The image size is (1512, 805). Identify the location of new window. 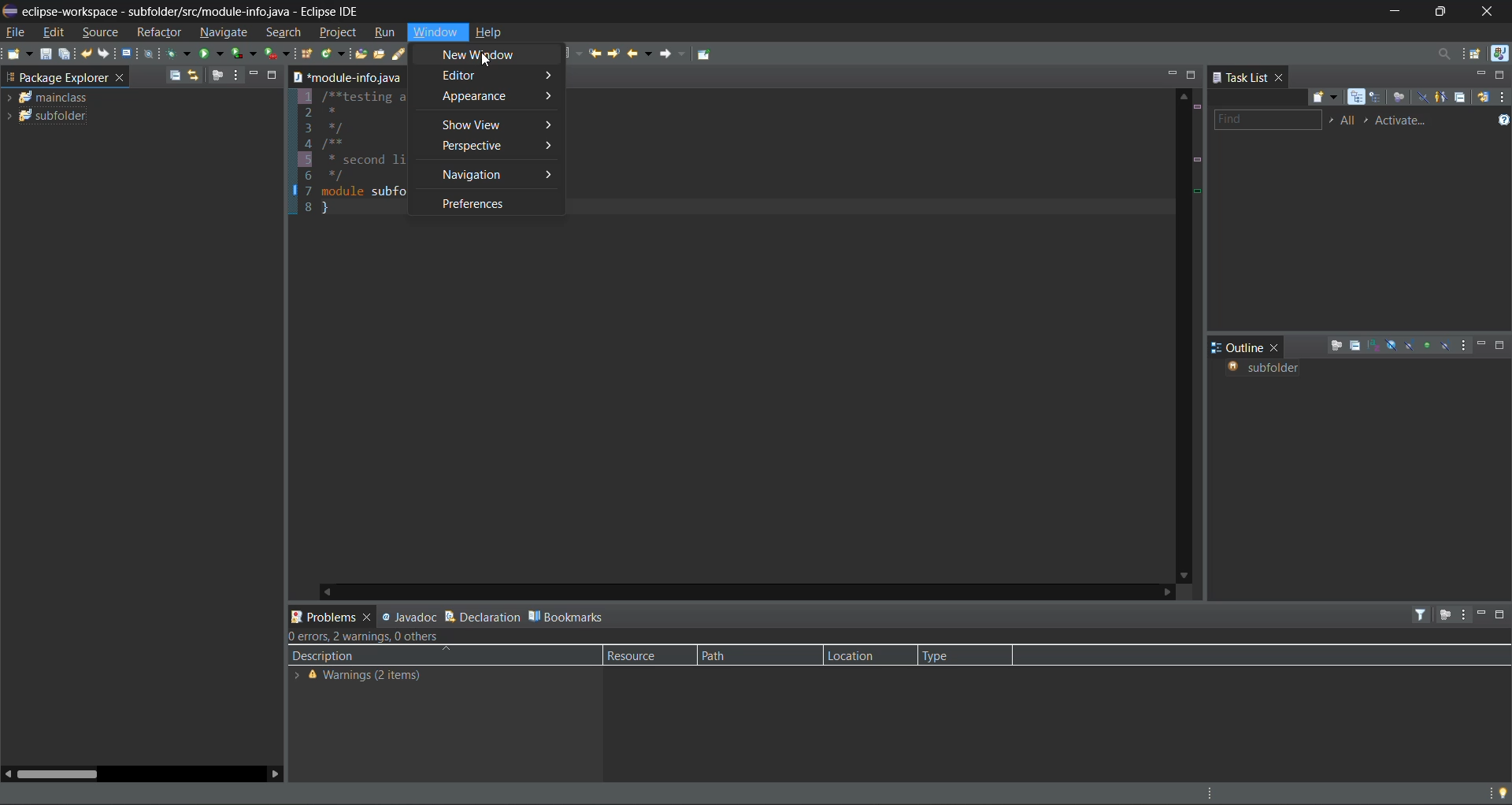
(487, 54).